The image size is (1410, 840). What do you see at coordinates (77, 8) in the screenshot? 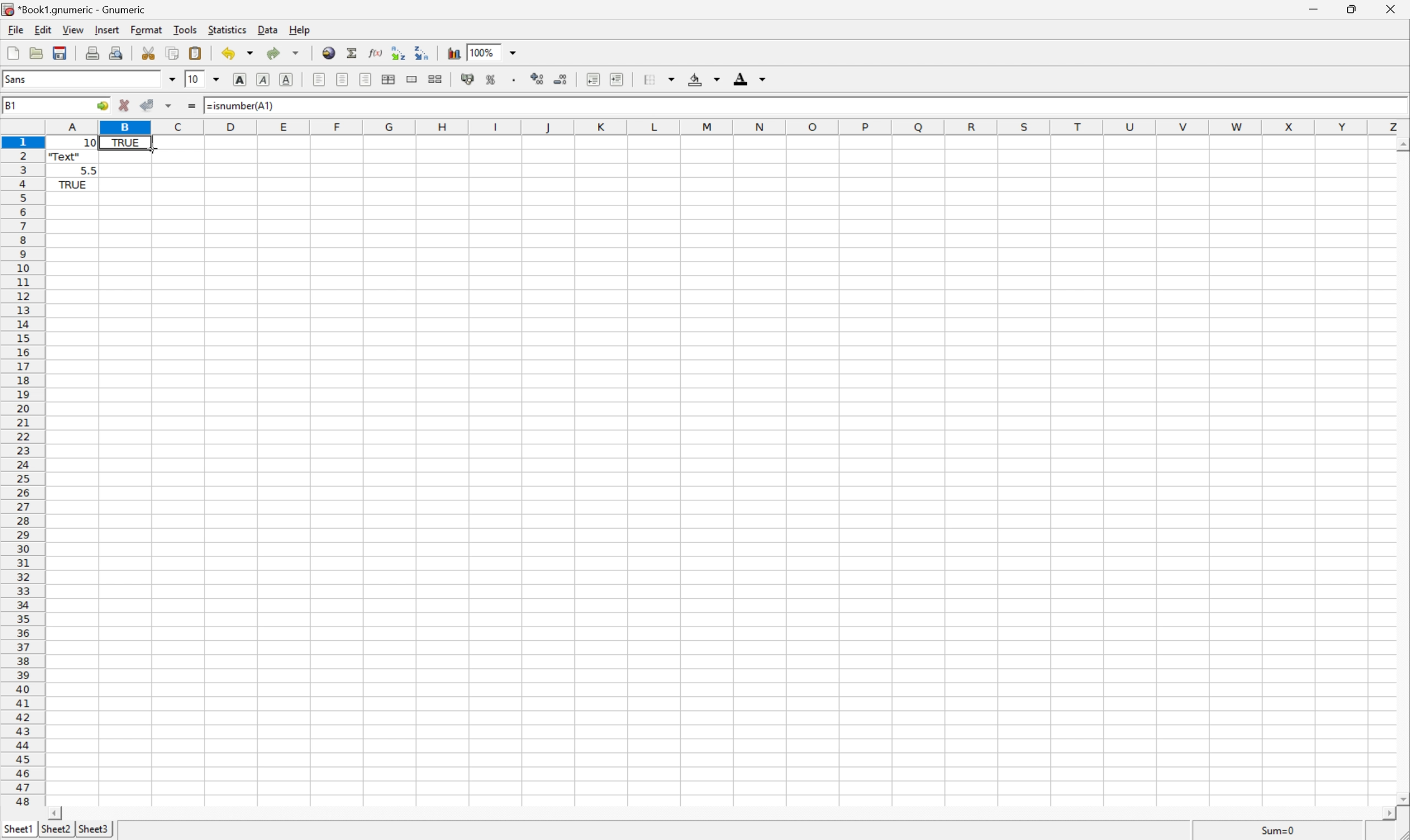
I see `*Book1.gnumeric - Gnumeric` at bounding box center [77, 8].